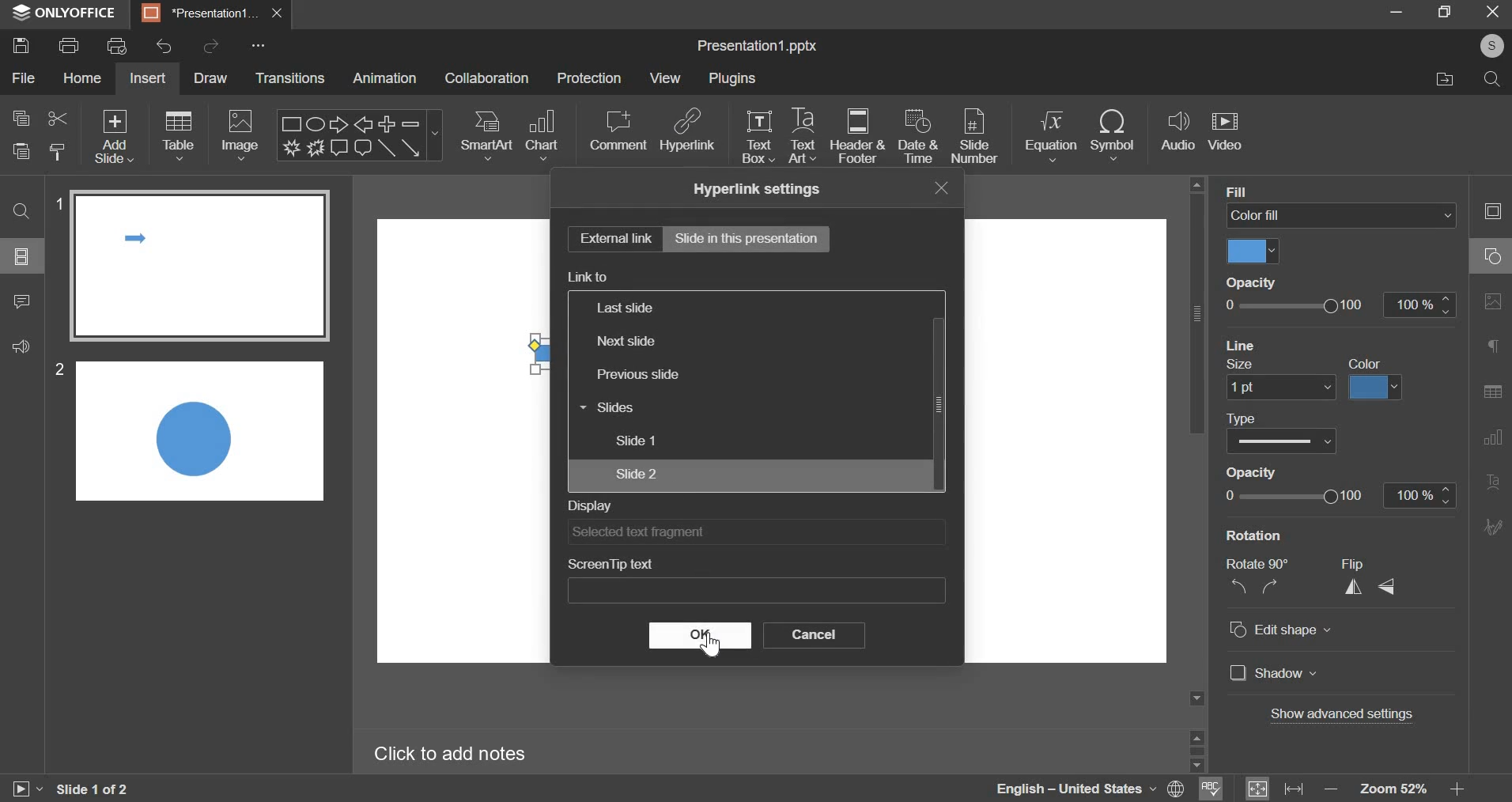 The image size is (1512, 802). What do you see at coordinates (1197, 736) in the screenshot?
I see ` scroll up ` at bounding box center [1197, 736].